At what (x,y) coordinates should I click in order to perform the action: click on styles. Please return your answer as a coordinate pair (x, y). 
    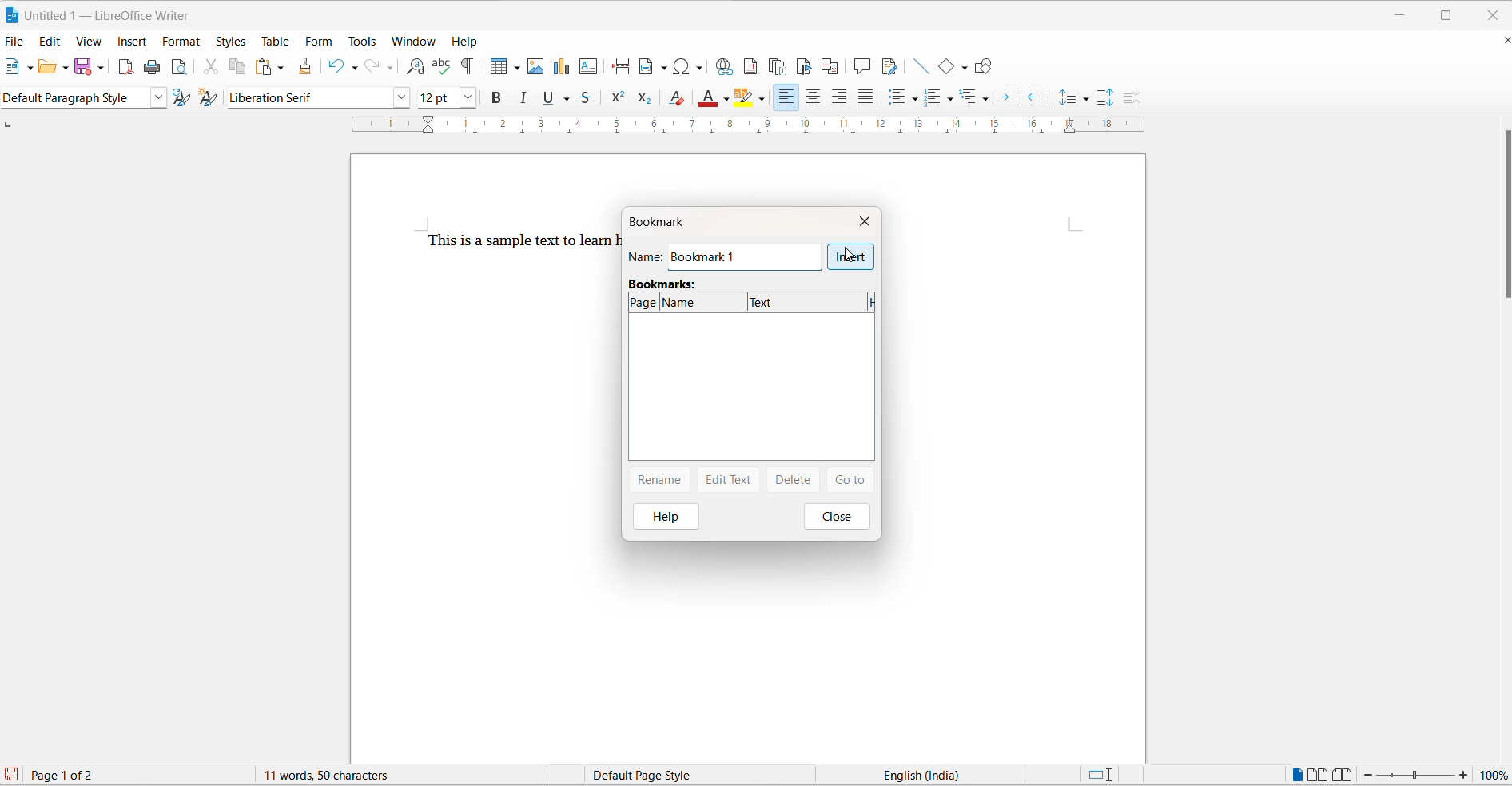
    Looking at the image, I should click on (230, 41).